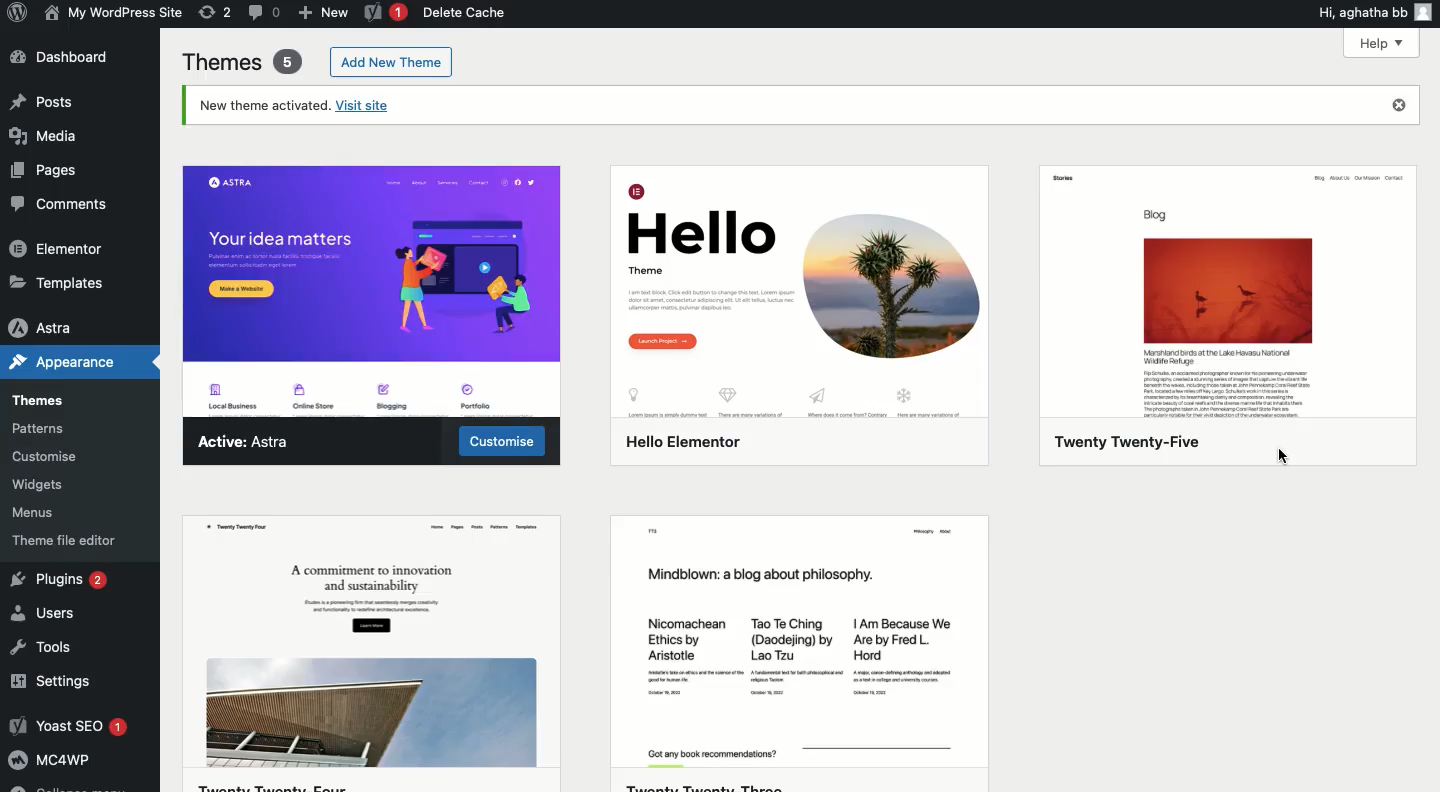 This screenshot has height=792, width=1440. Describe the element at coordinates (385, 13) in the screenshot. I see `Yoast 1` at that location.